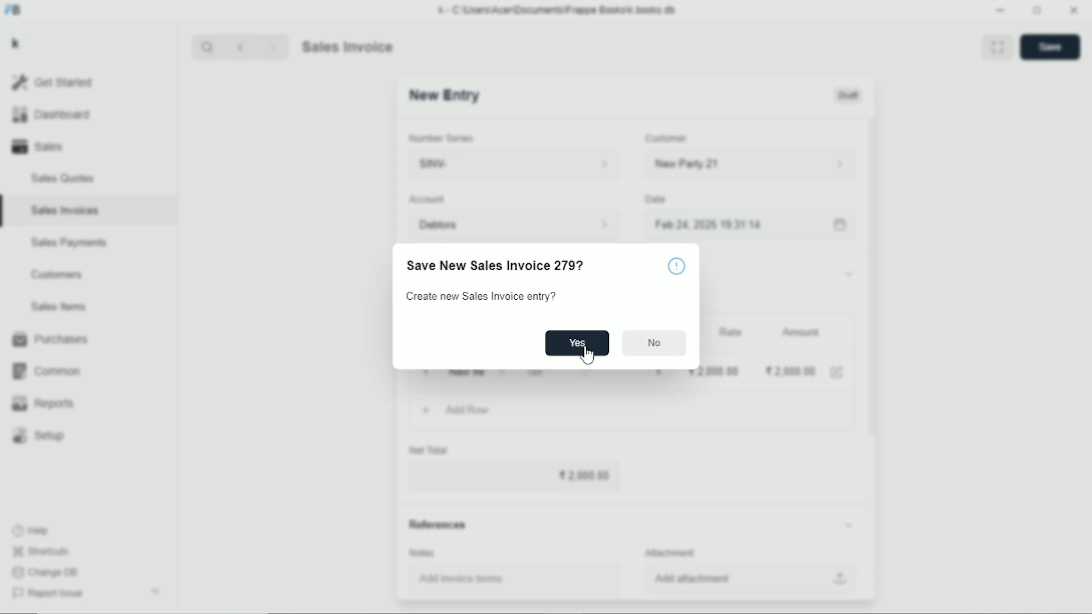 The image size is (1092, 614). What do you see at coordinates (494, 265) in the screenshot?
I see `Save new sales invoice 279?` at bounding box center [494, 265].